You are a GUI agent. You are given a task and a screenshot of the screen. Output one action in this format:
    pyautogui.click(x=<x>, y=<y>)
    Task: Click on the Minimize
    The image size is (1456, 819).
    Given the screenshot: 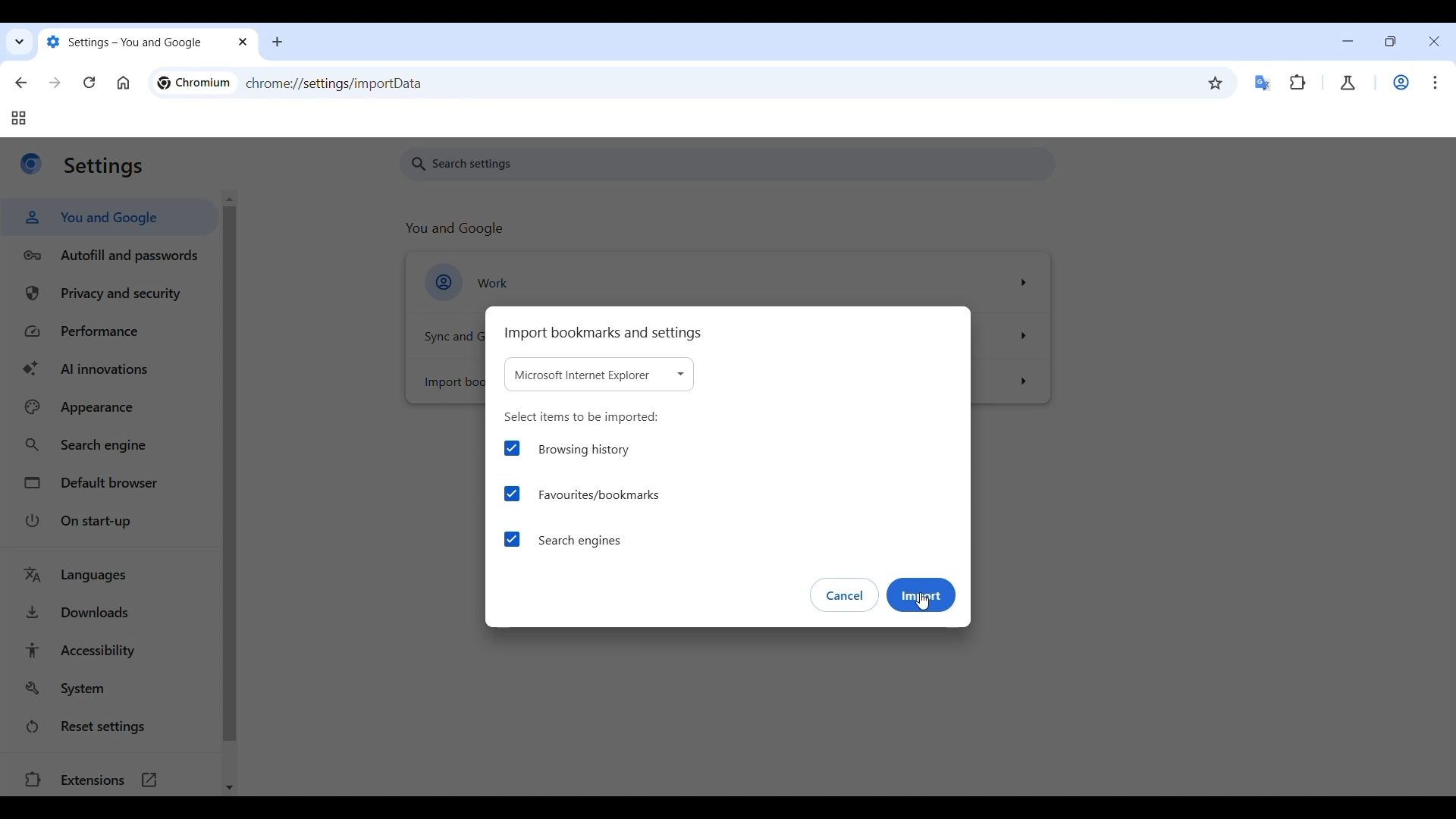 What is the action you would take?
    pyautogui.click(x=1348, y=41)
    